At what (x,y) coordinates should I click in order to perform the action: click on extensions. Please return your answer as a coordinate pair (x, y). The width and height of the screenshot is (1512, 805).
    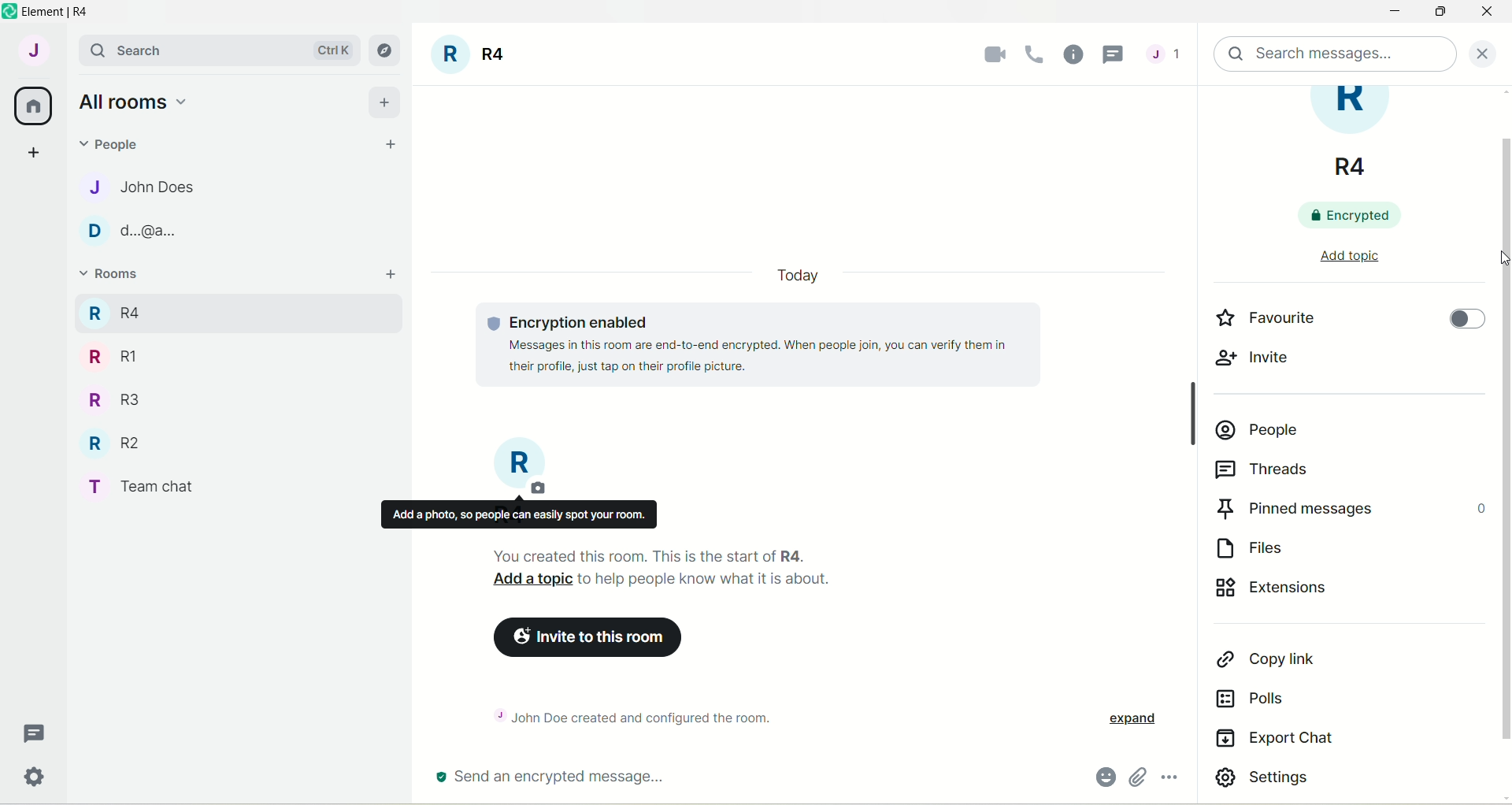
    Looking at the image, I should click on (1294, 592).